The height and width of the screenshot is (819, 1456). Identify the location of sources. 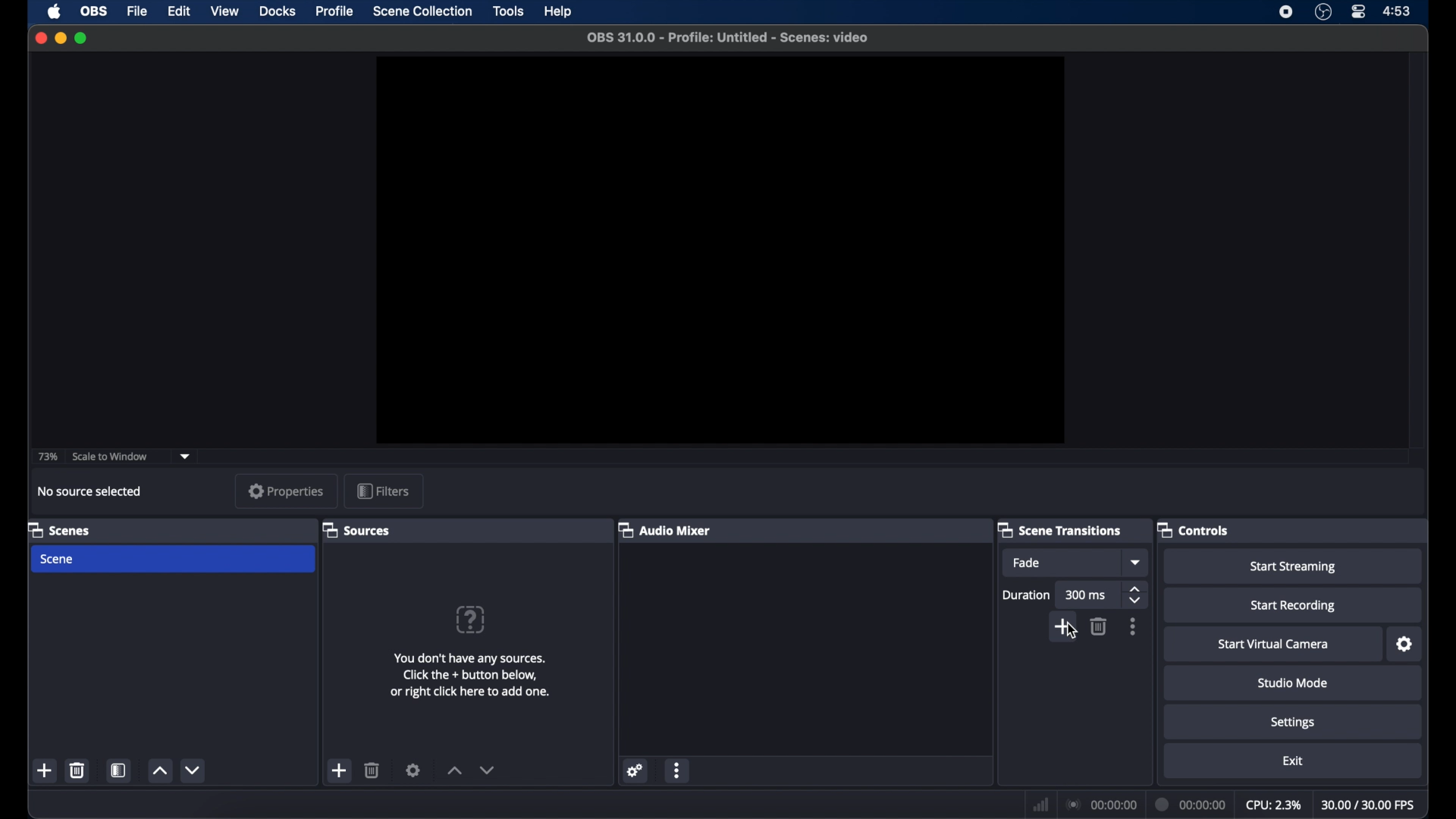
(356, 529).